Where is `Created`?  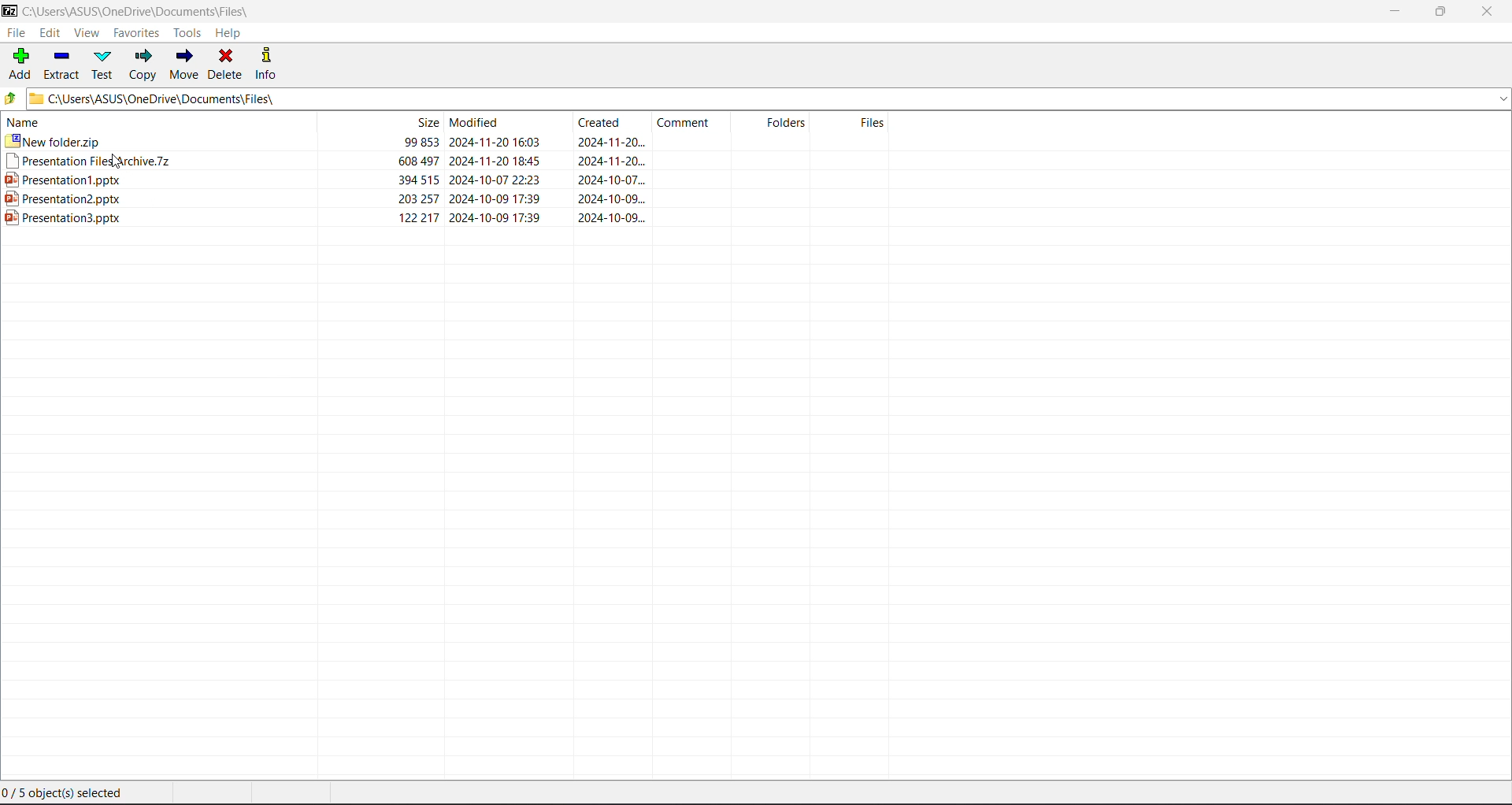 Created is located at coordinates (608, 123).